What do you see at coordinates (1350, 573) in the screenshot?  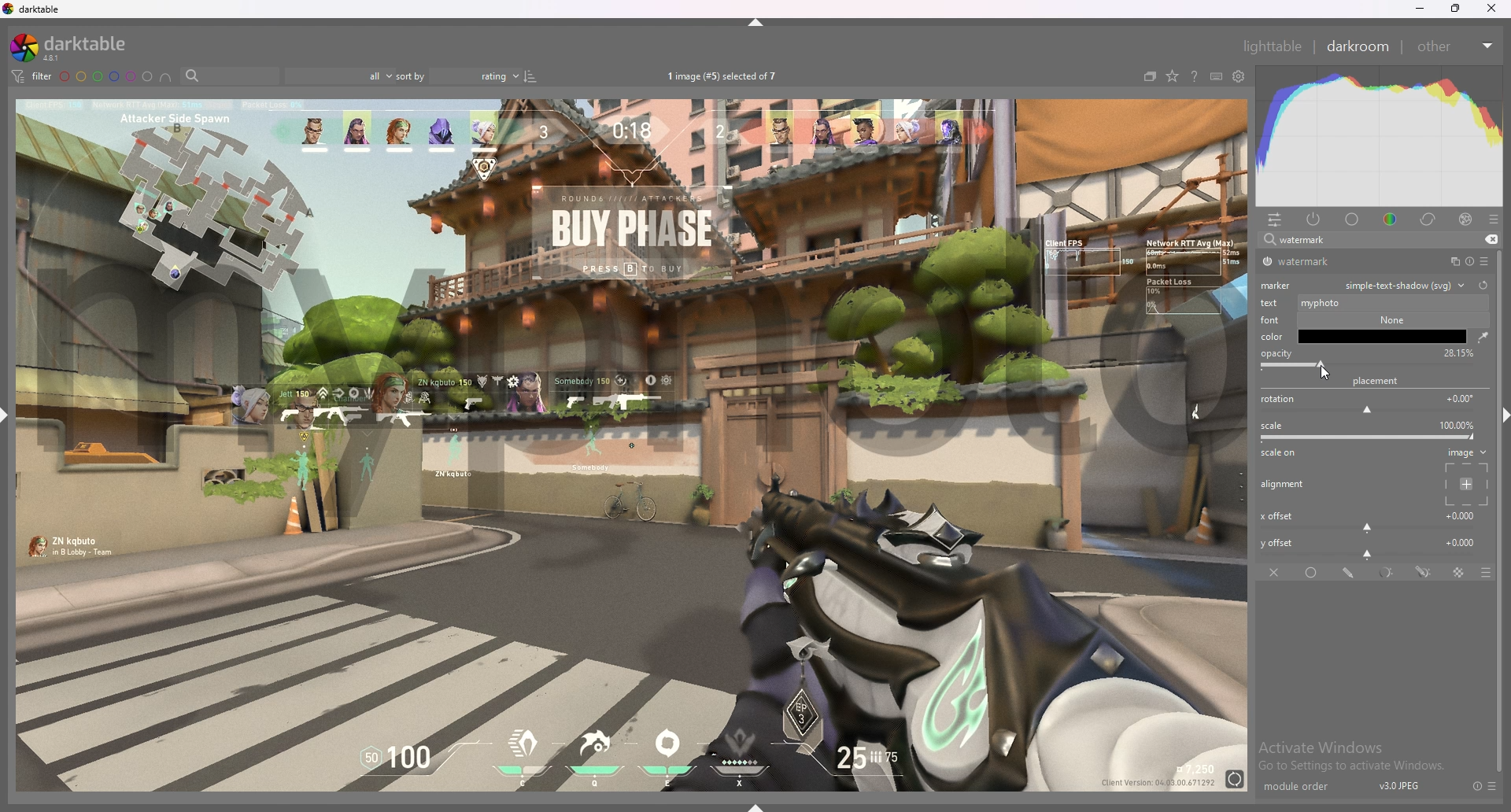 I see `drawn mask` at bounding box center [1350, 573].